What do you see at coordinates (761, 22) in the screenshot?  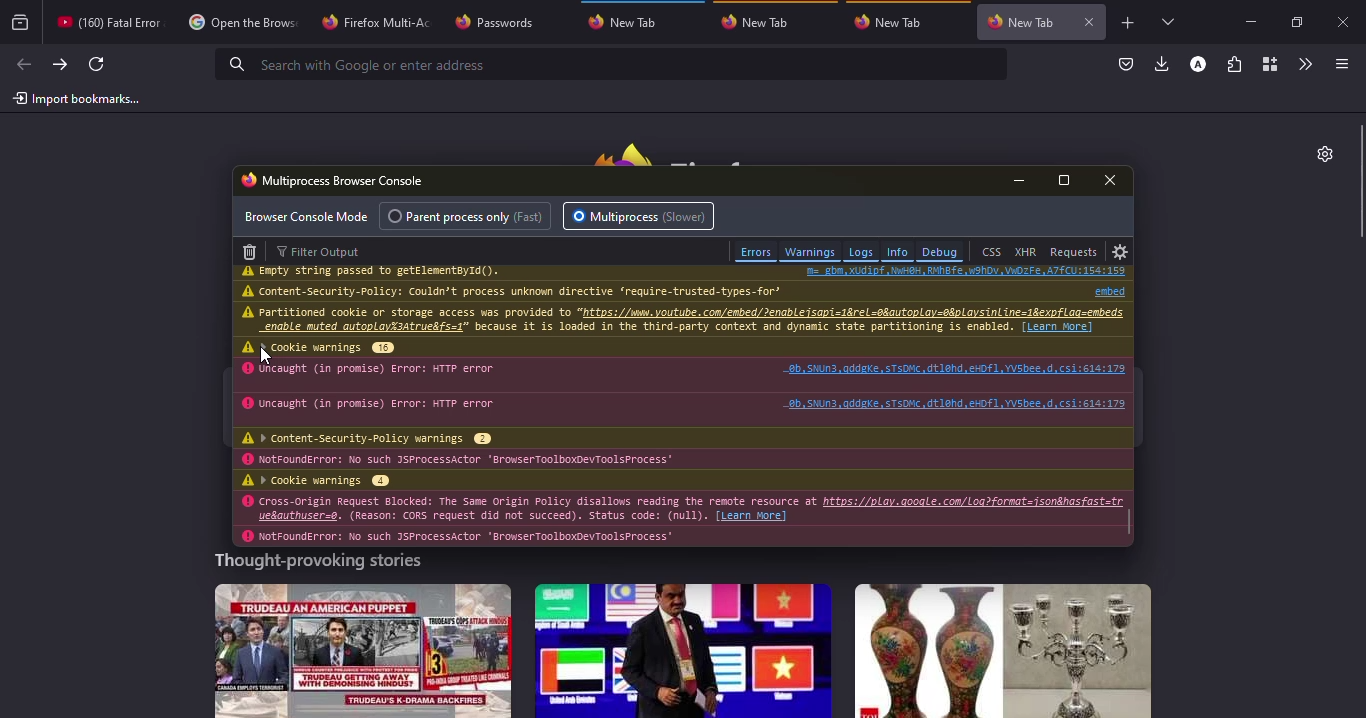 I see `tab` at bounding box center [761, 22].